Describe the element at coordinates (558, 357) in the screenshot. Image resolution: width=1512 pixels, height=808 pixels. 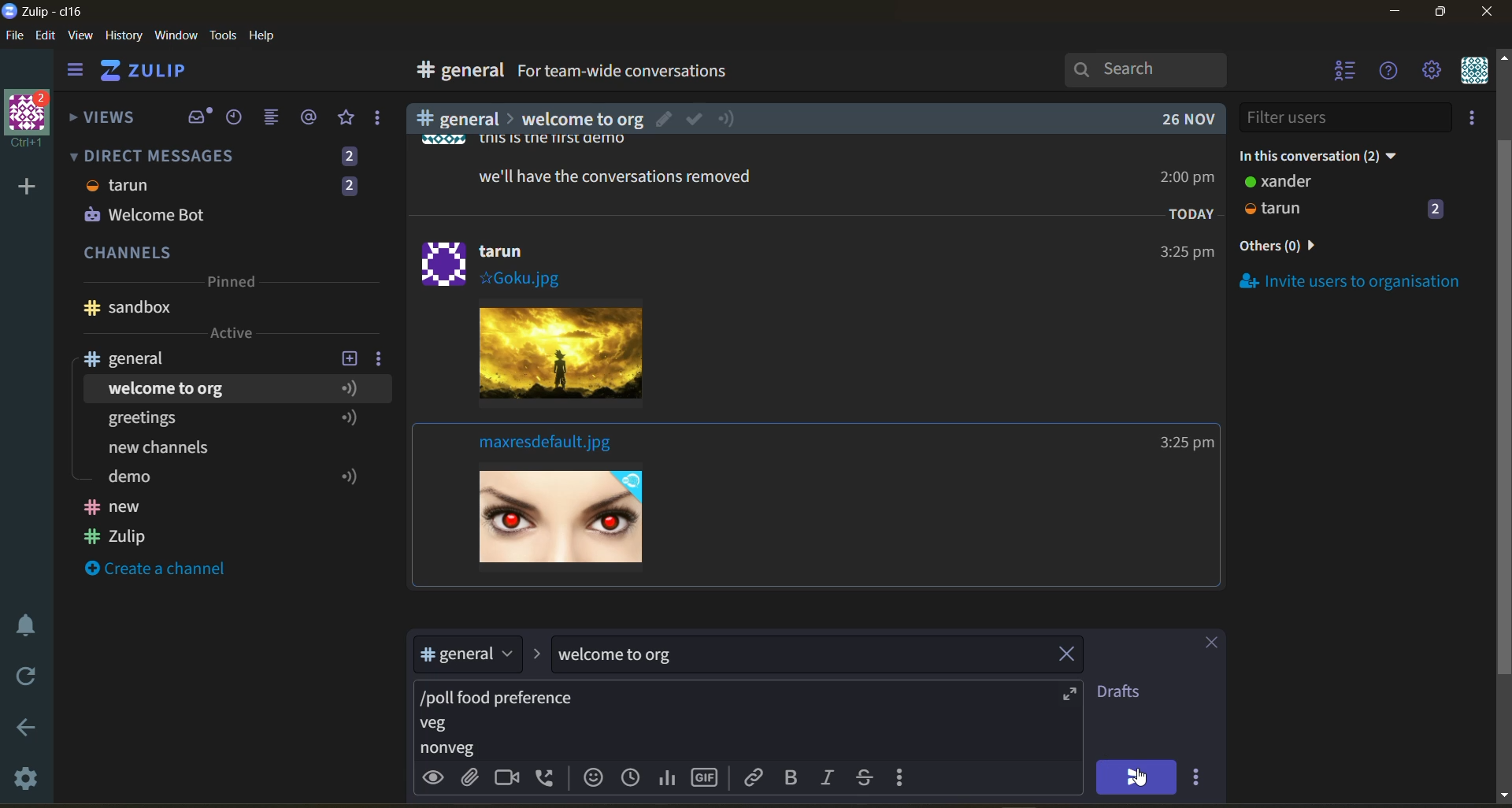
I see `image` at that location.